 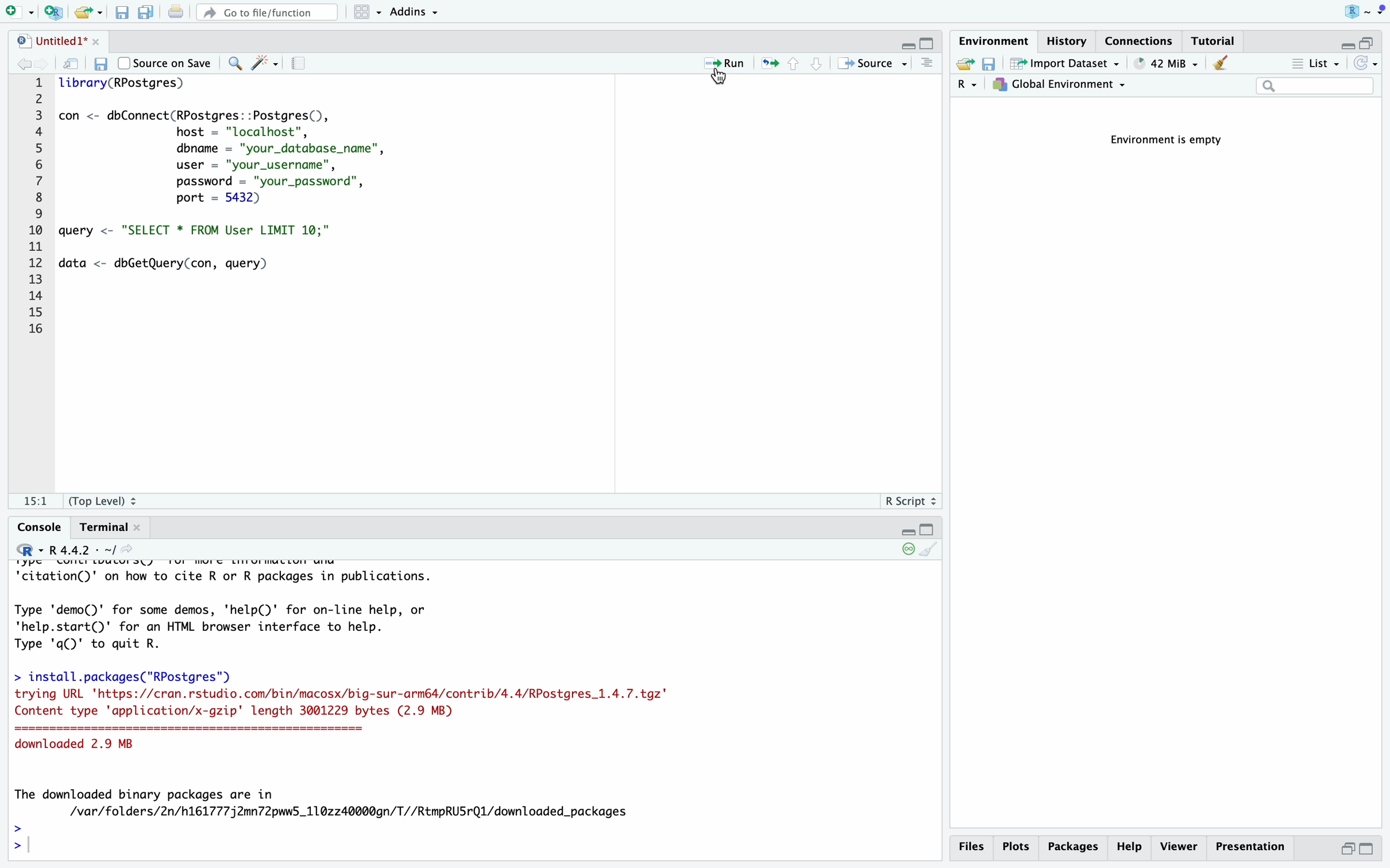 I want to click on viewer, so click(x=1178, y=847).